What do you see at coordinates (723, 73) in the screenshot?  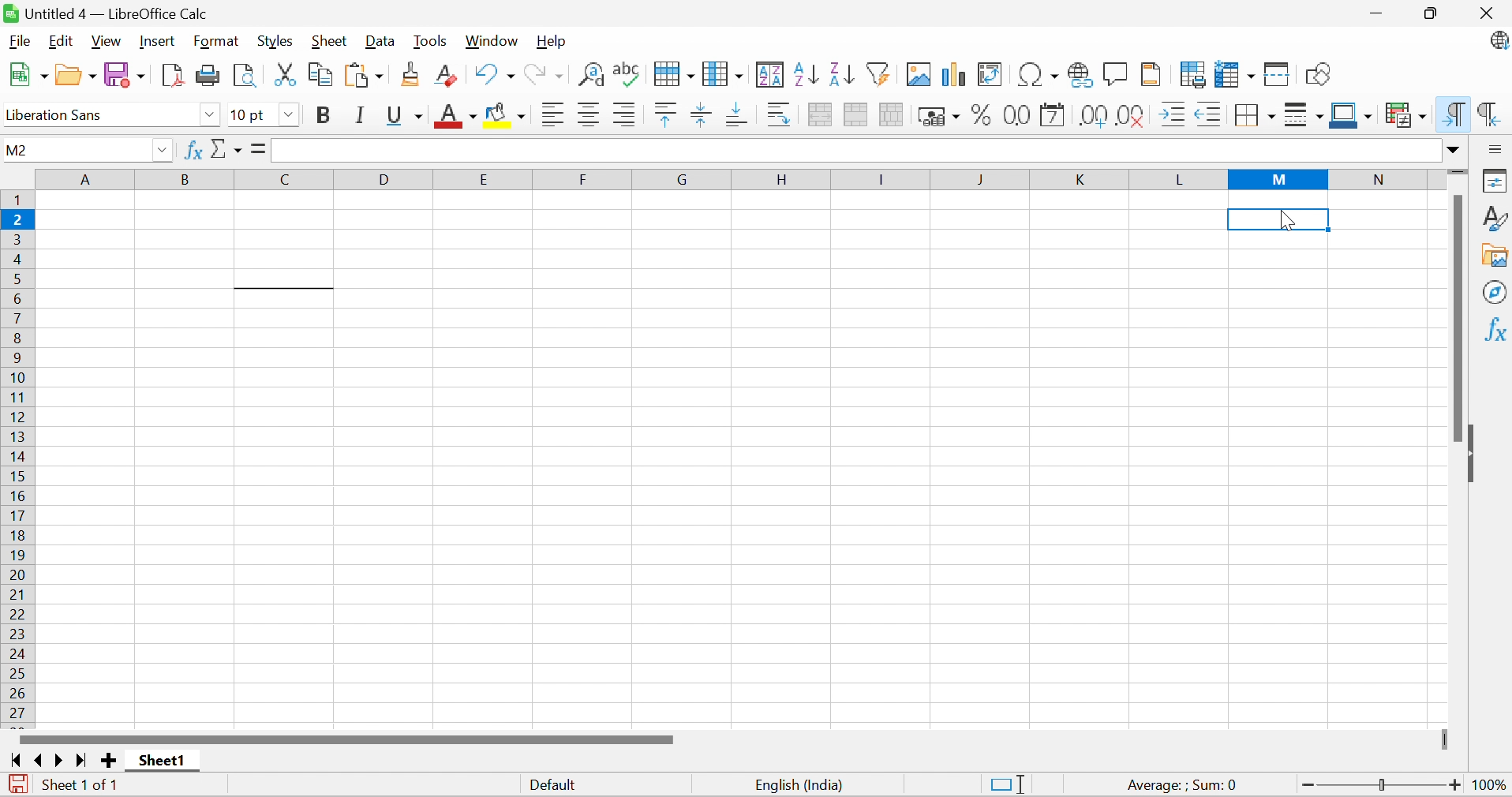 I see `Column` at bounding box center [723, 73].